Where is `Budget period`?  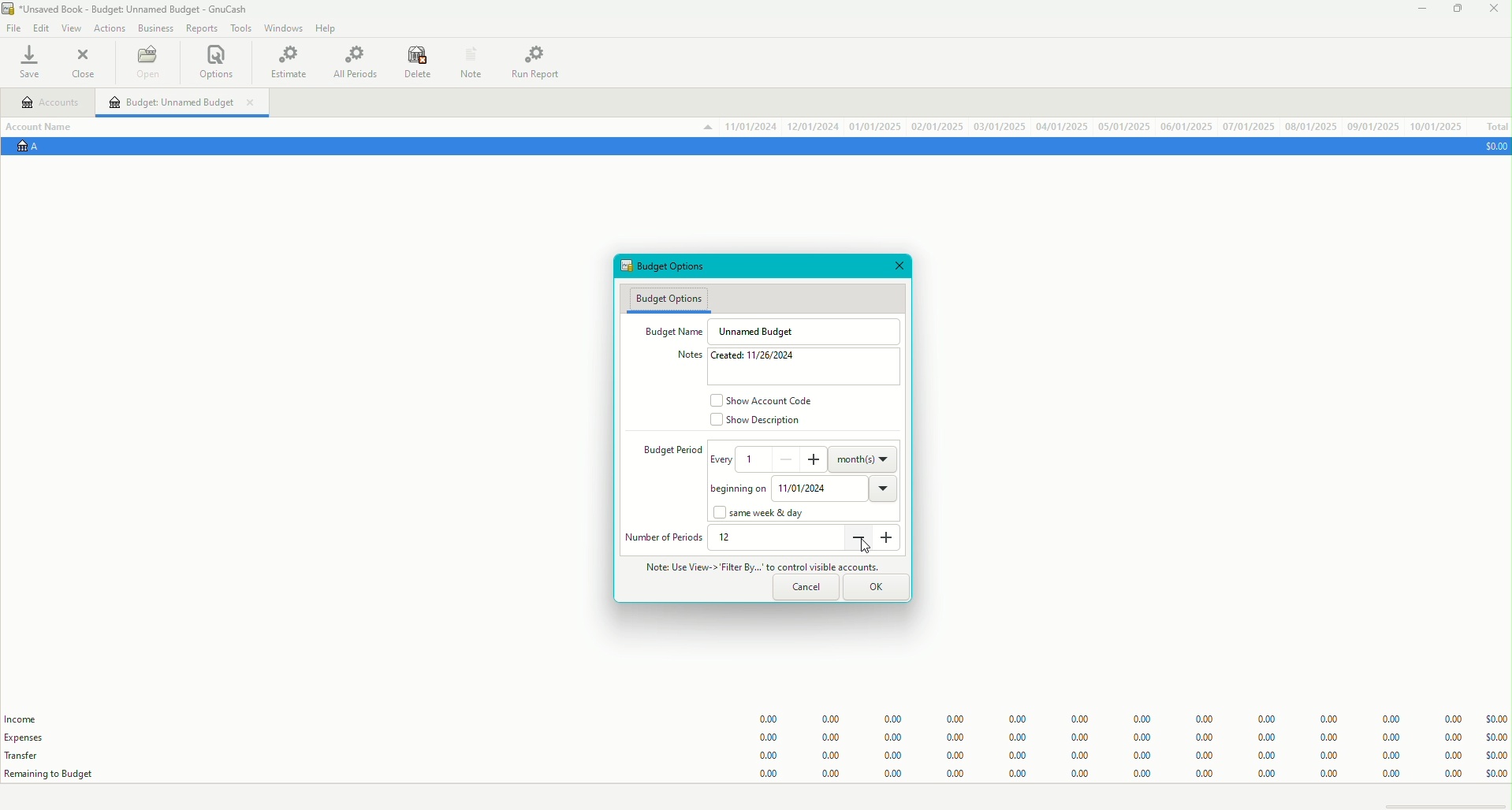
Budget period is located at coordinates (664, 451).